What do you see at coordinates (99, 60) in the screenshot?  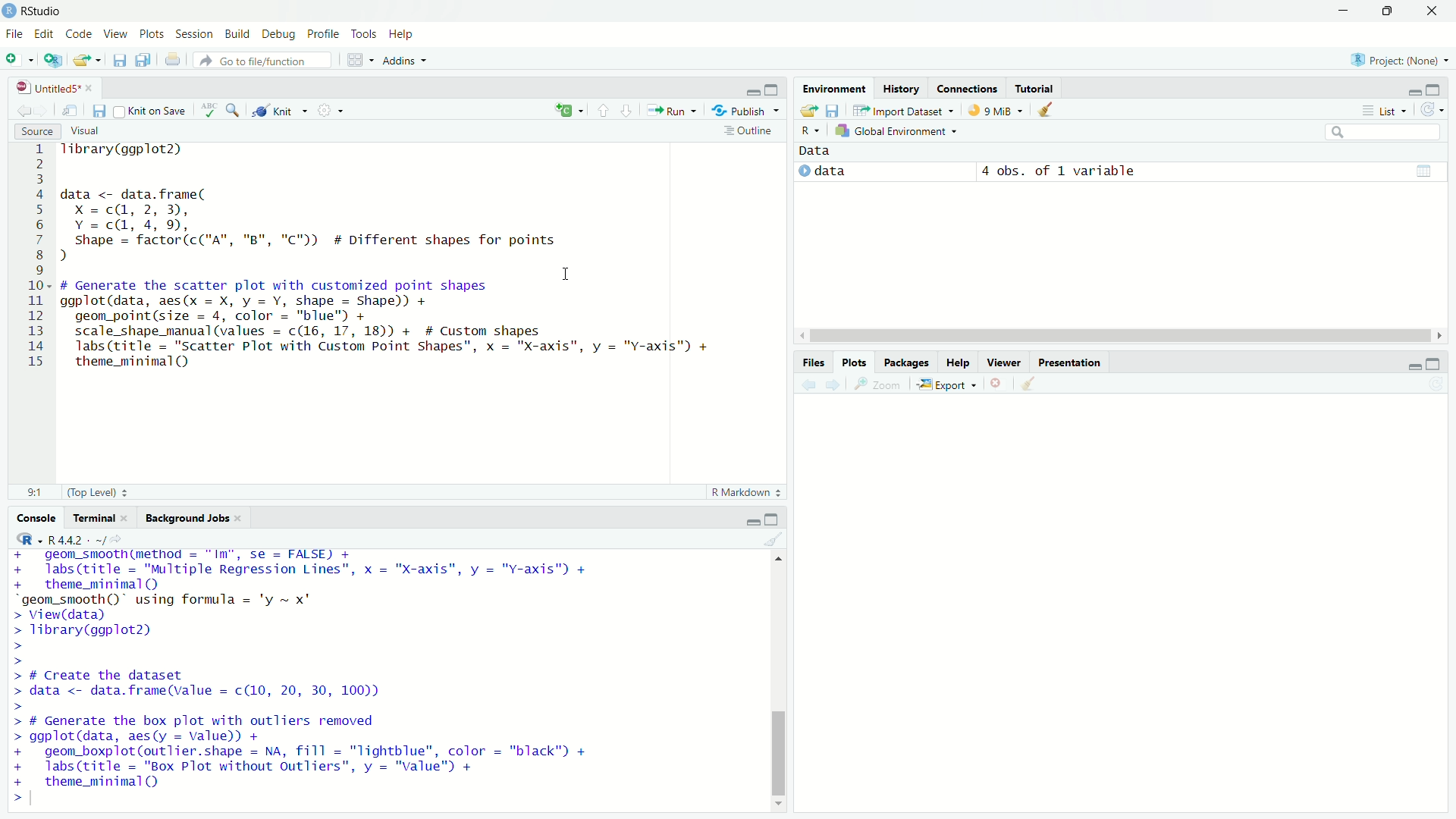 I see `Open recent files` at bounding box center [99, 60].